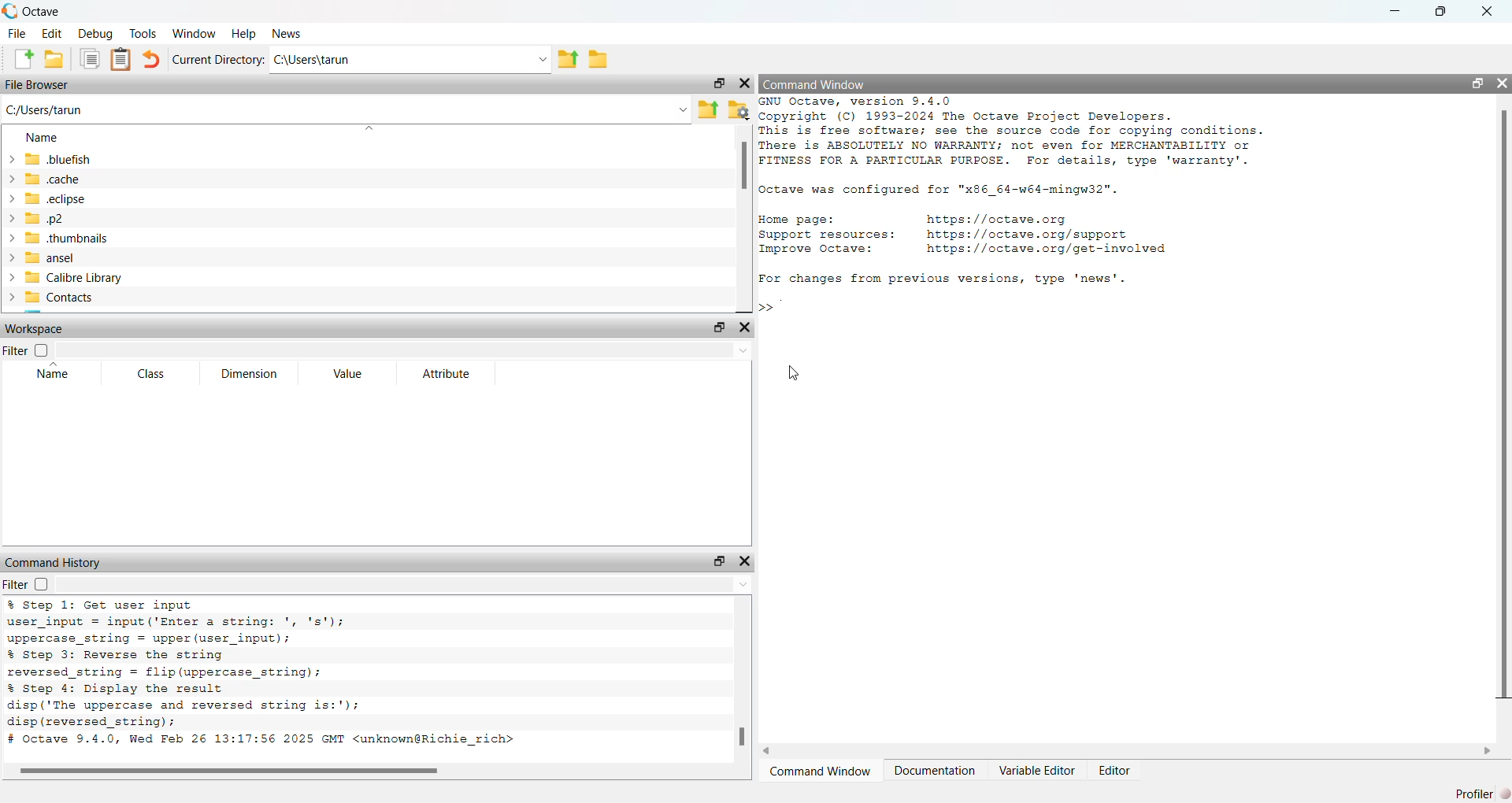 This screenshot has height=803, width=1512. Describe the element at coordinates (345, 109) in the screenshot. I see `enter the path or filename` at that location.